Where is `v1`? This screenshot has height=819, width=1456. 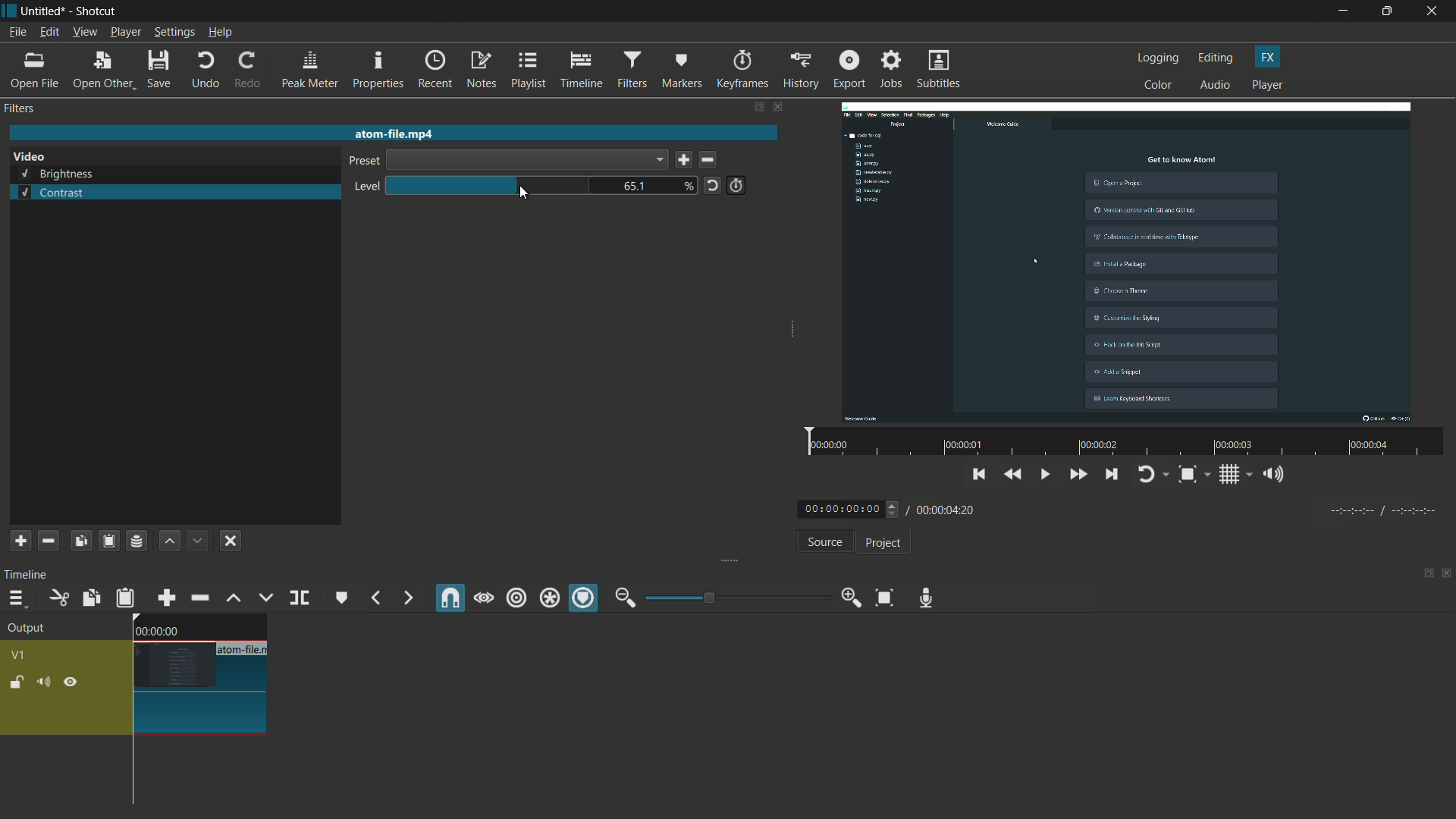
v1 is located at coordinates (21, 654).